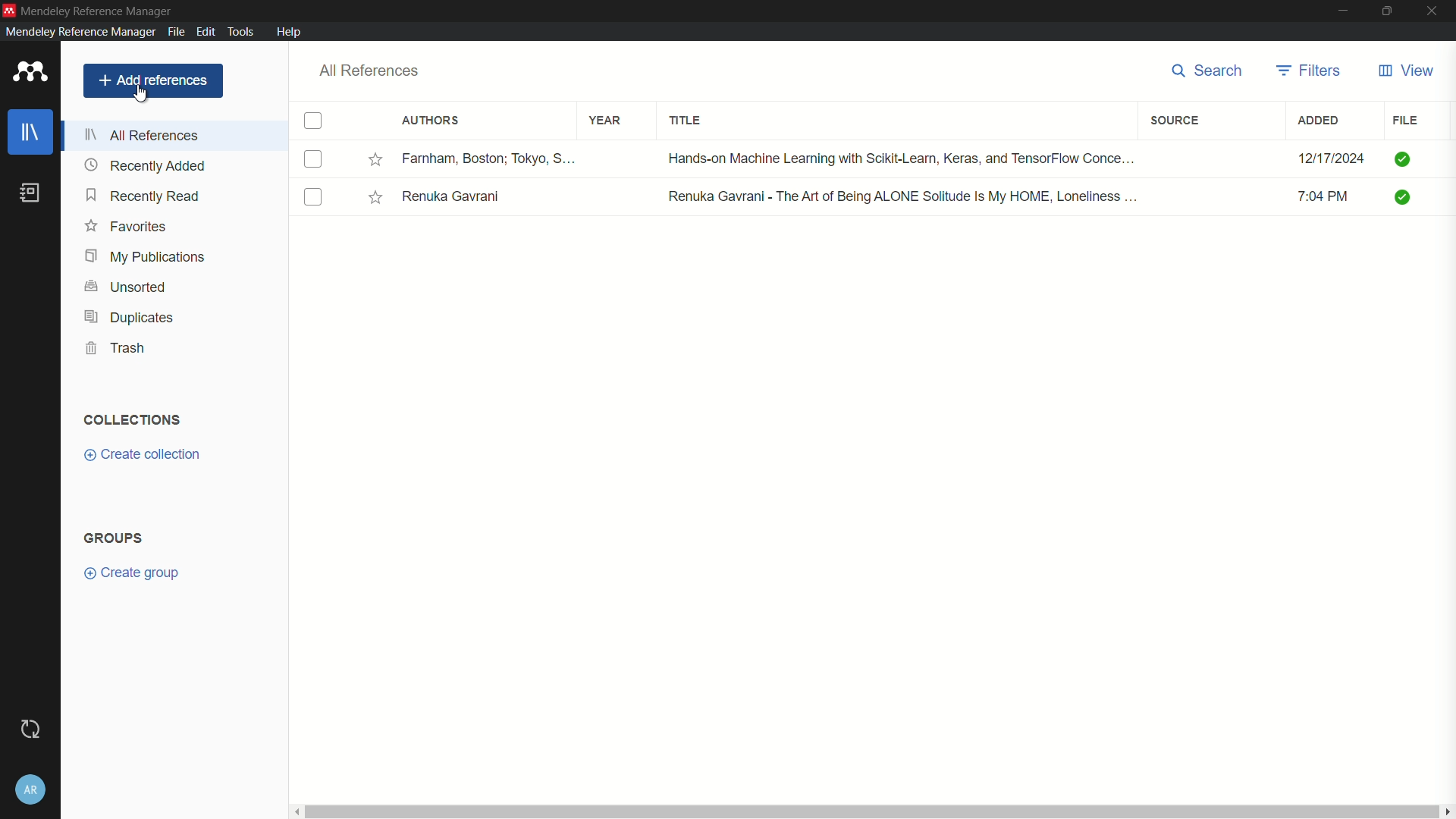 Image resolution: width=1456 pixels, height=819 pixels. Describe the element at coordinates (1407, 199) in the screenshot. I see `check` at that location.